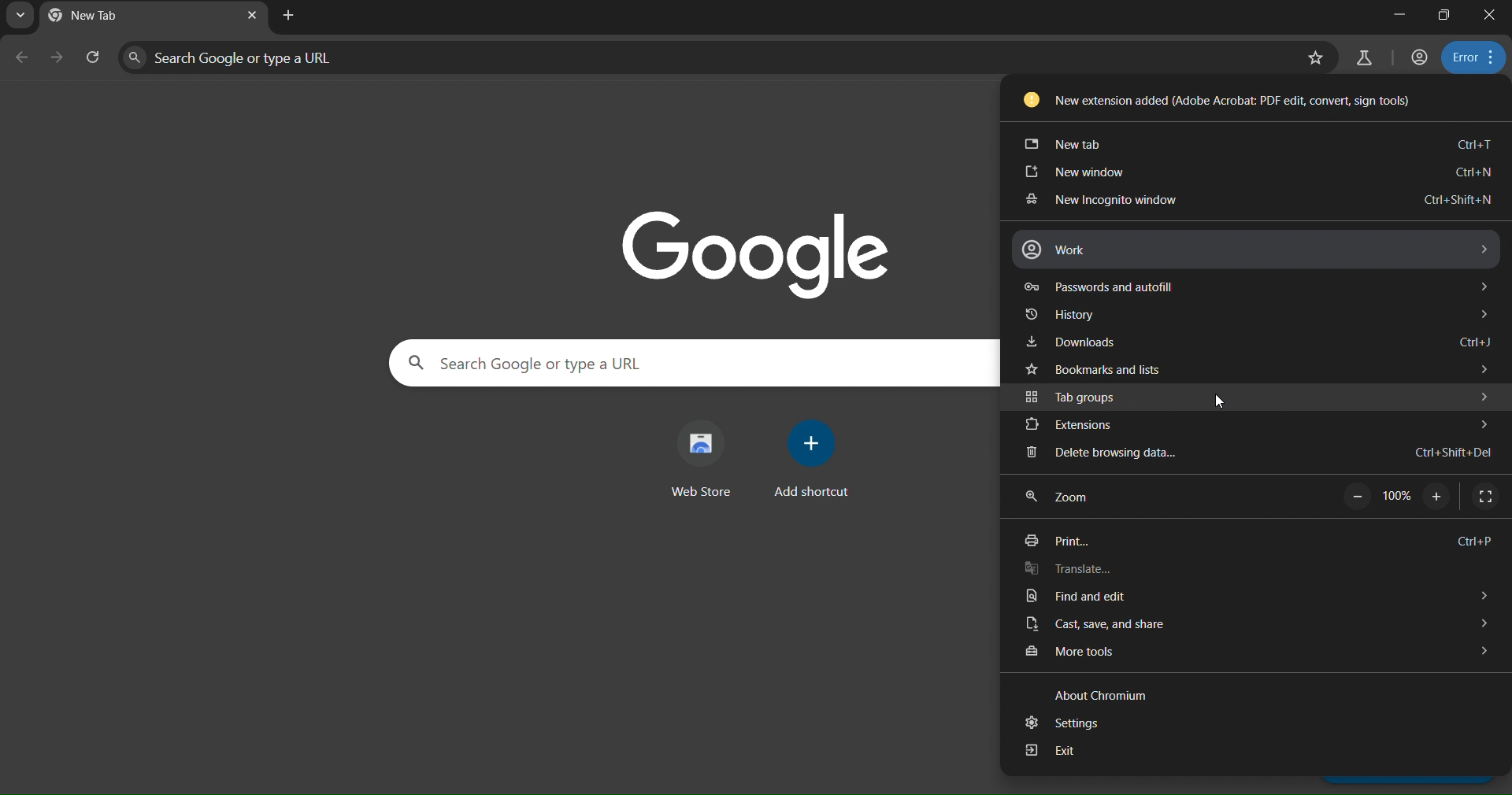 Image resolution: width=1512 pixels, height=795 pixels. Describe the element at coordinates (1253, 454) in the screenshot. I see `delete browsing data` at that location.